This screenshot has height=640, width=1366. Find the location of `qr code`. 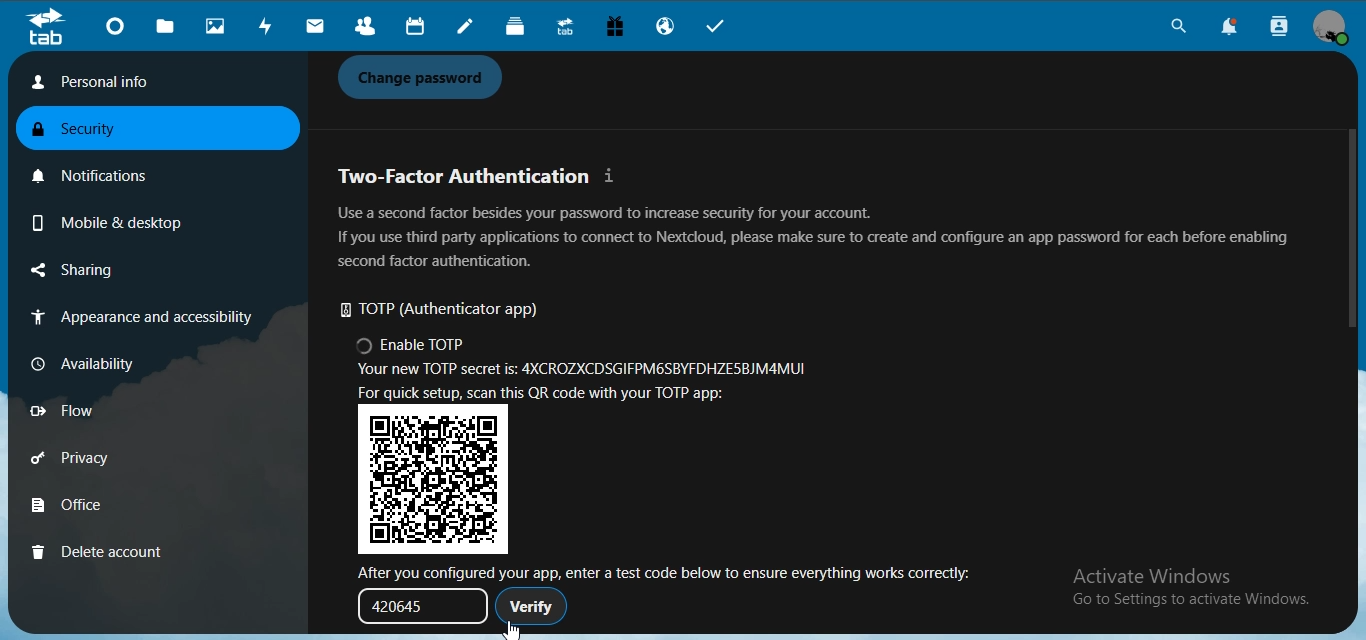

qr code is located at coordinates (436, 479).